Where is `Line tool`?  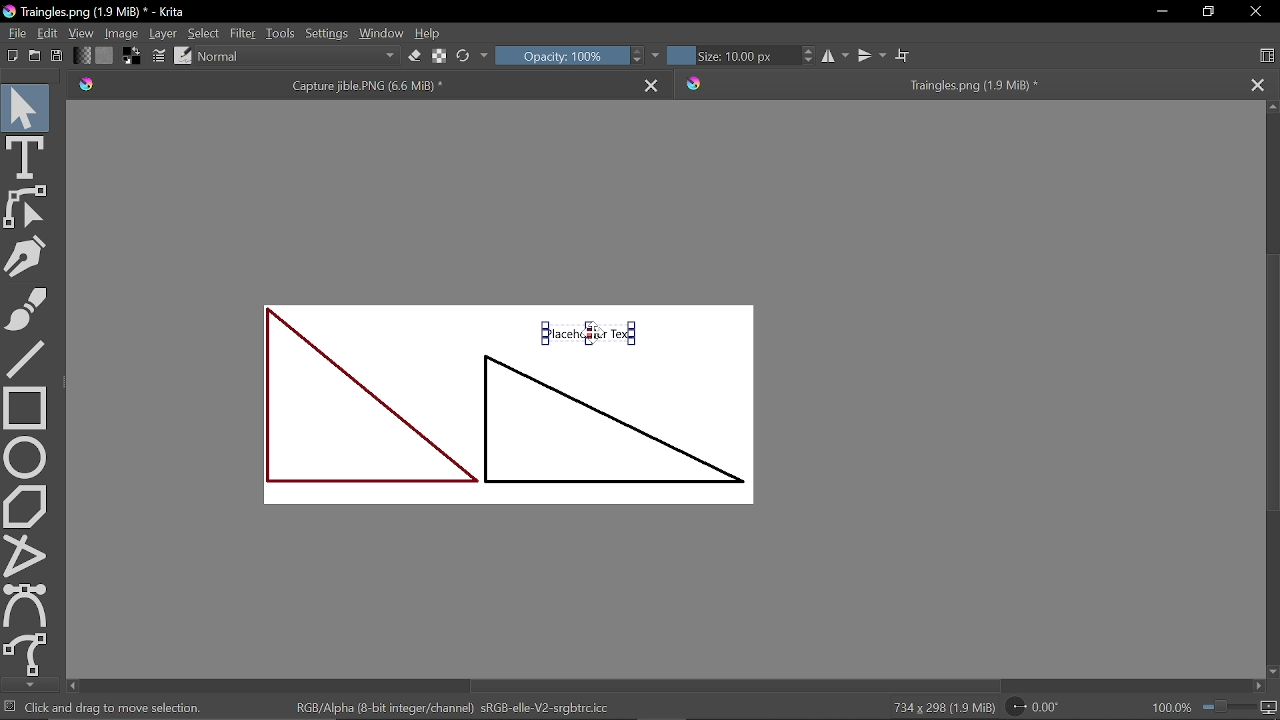
Line tool is located at coordinates (28, 358).